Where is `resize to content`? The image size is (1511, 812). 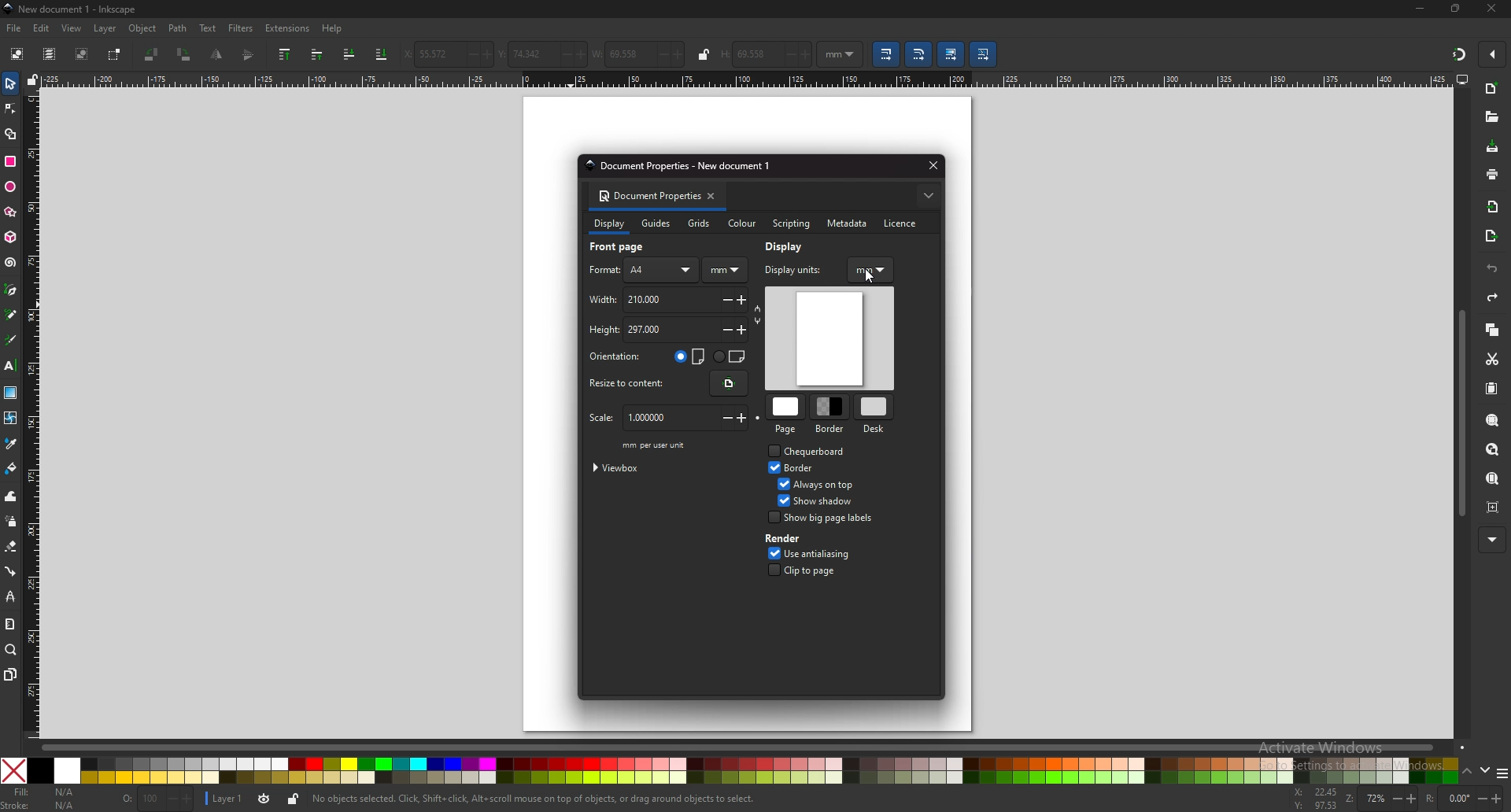 resize to content is located at coordinates (633, 384).